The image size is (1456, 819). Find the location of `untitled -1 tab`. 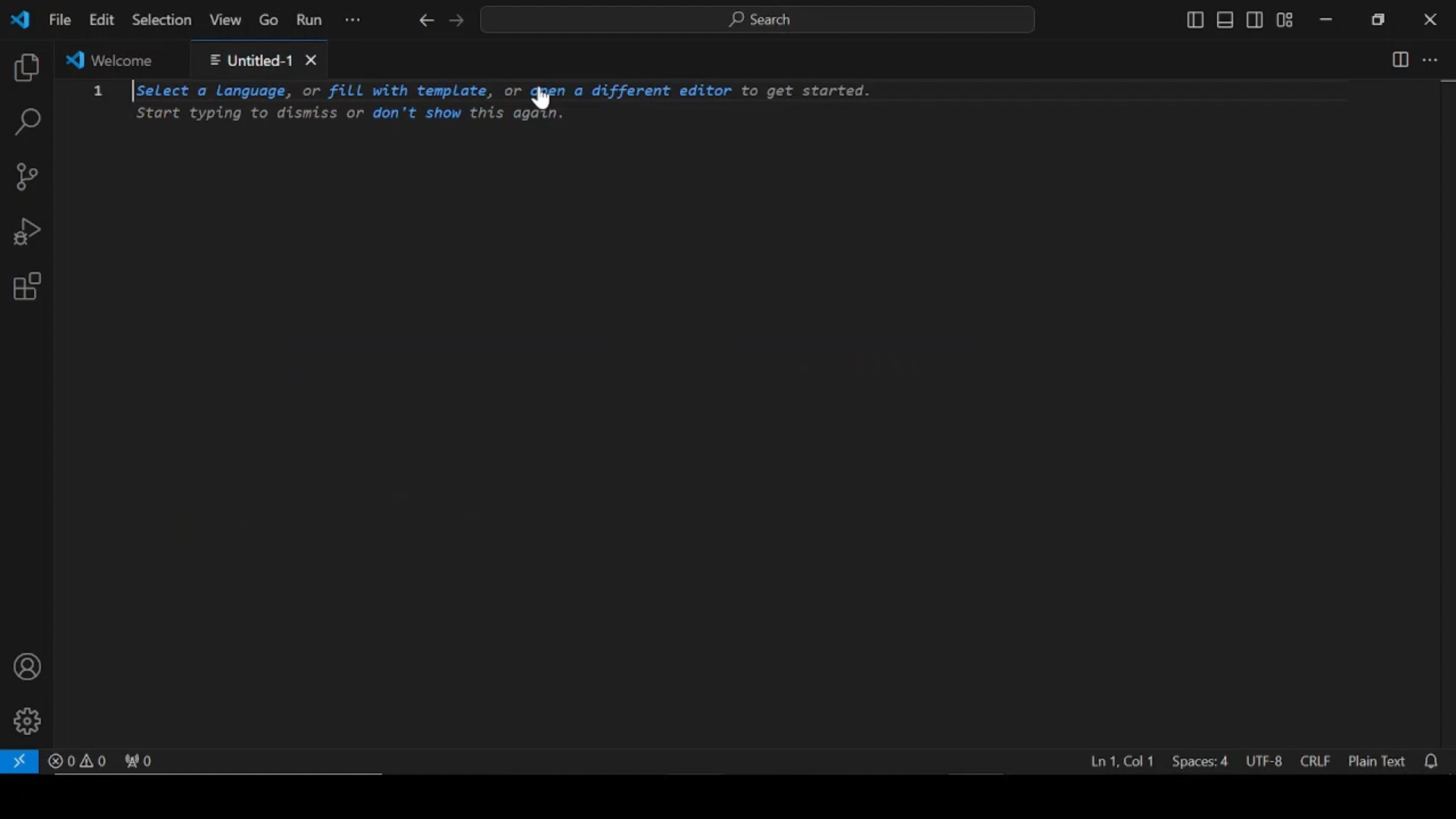

untitled -1 tab is located at coordinates (260, 58).